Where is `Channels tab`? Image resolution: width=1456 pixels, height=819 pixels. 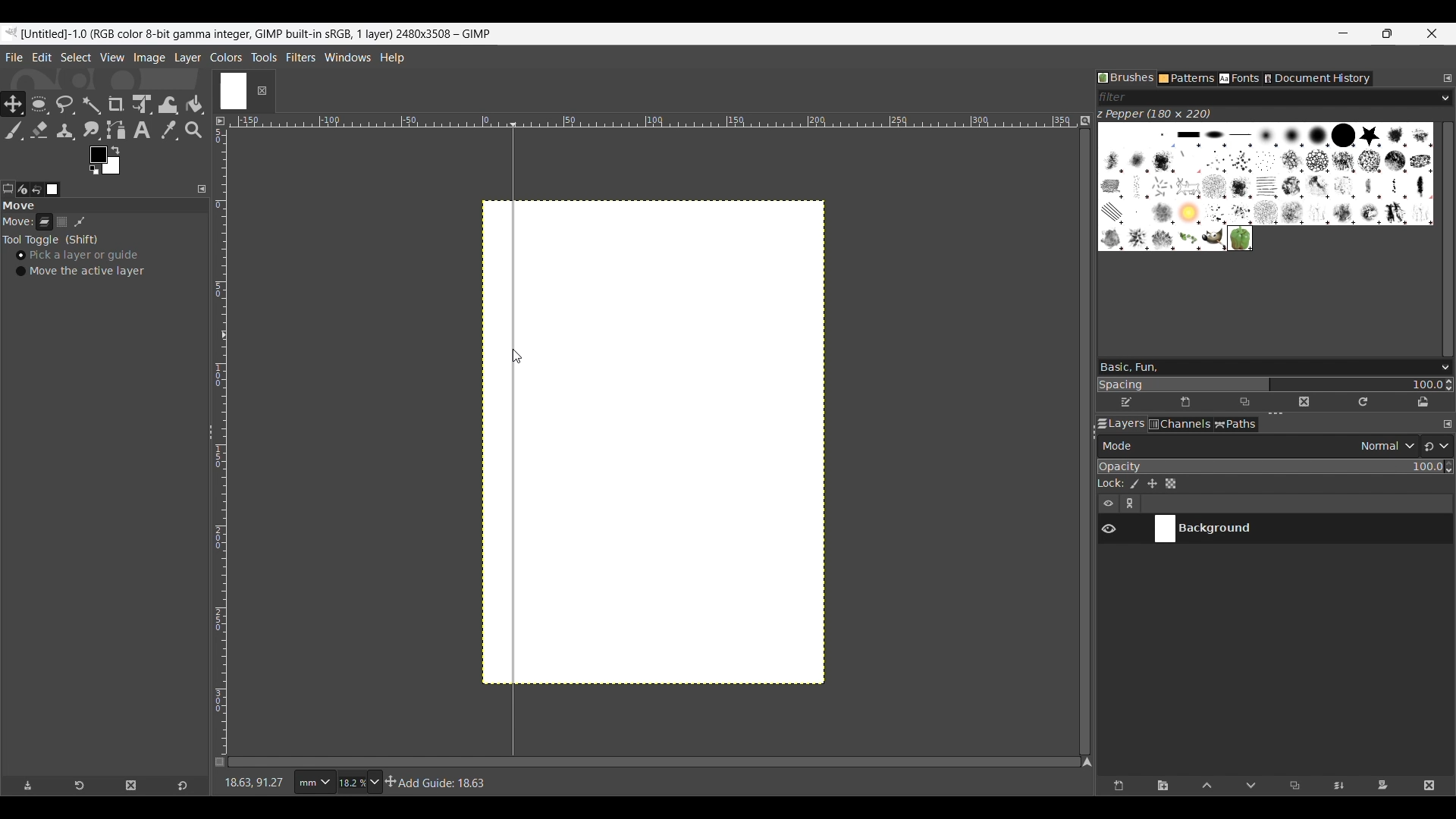 Channels tab is located at coordinates (1180, 424).